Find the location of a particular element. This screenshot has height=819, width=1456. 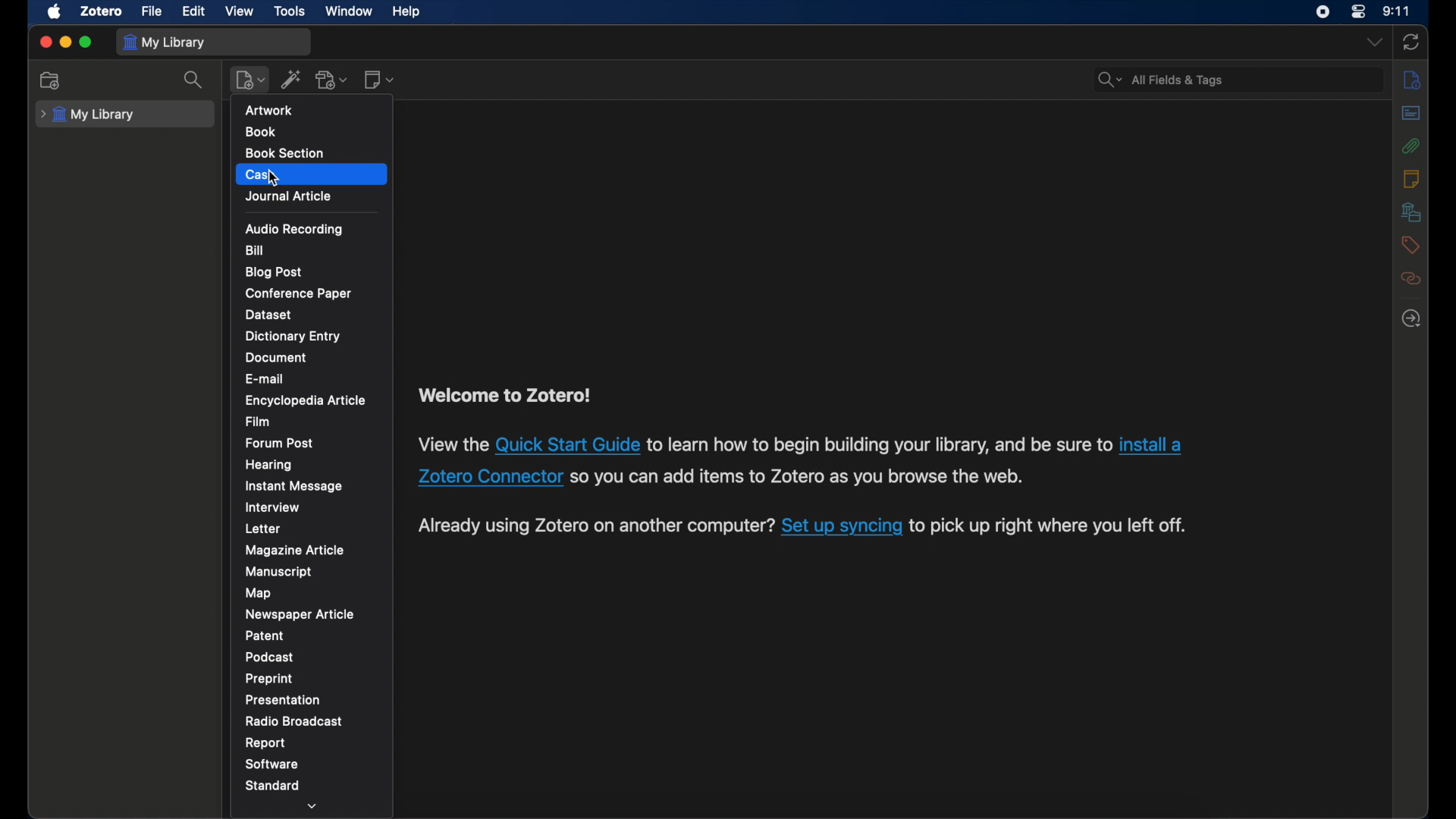

dropdown is located at coordinates (1373, 42).